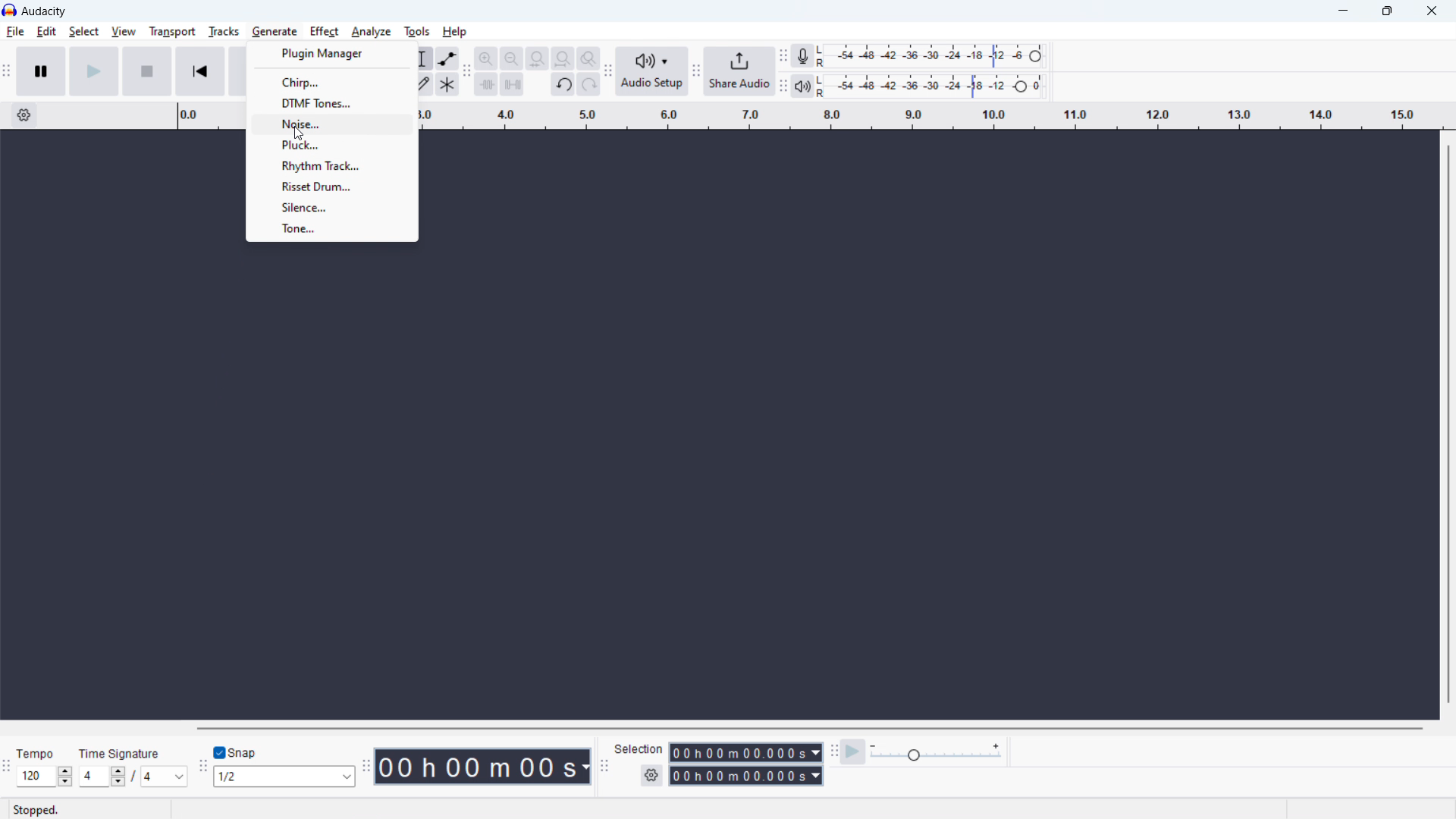 The height and width of the screenshot is (819, 1456). Describe the element at coordinates (486, 58) in the screenshot. I see `zoom in` at that location.